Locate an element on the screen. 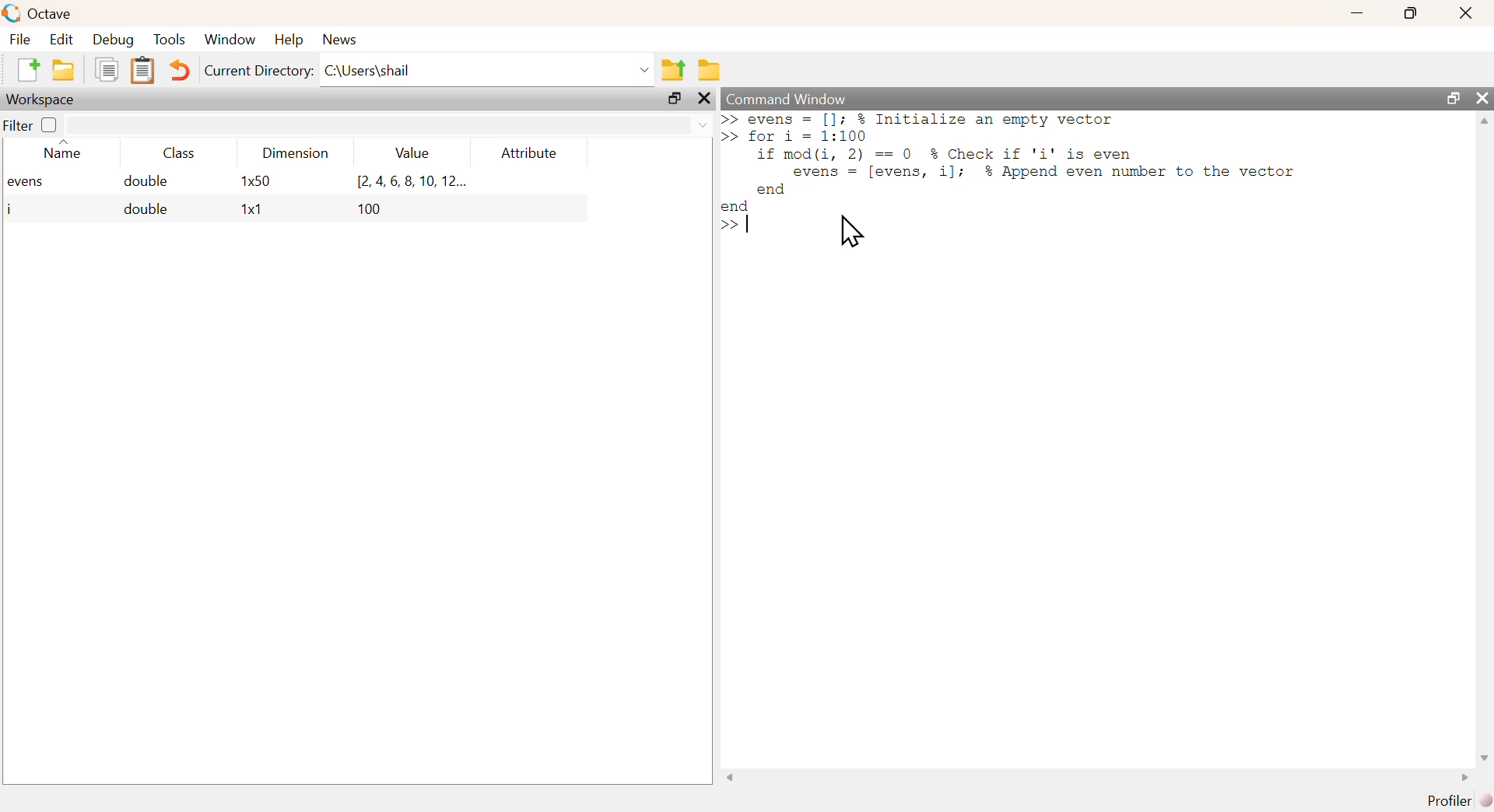 The height and width of the screenshot is (812, 1494). browse directories is located at coordinates (708, 70).